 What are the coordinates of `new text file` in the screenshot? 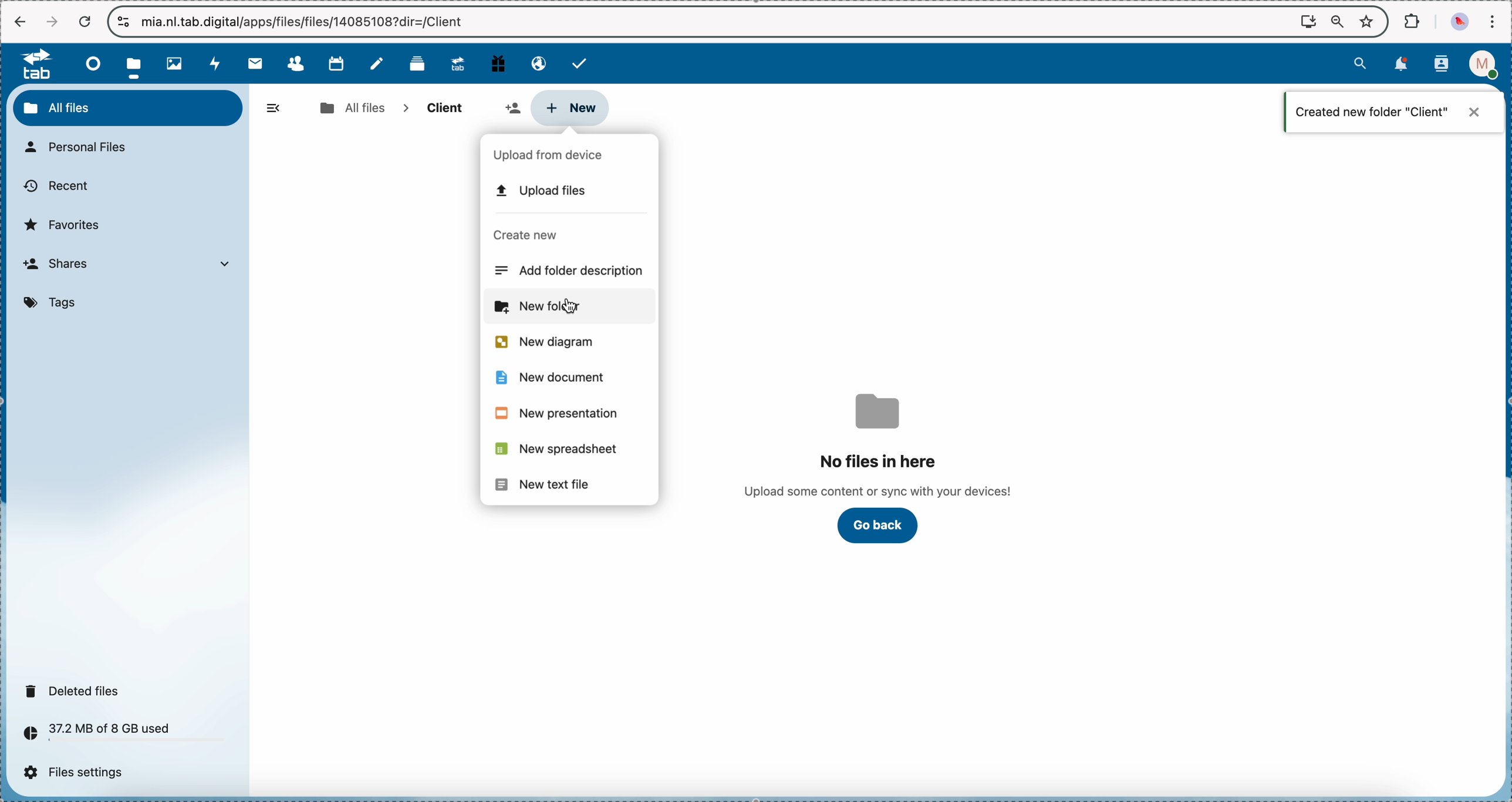 It's located at (544, 486).